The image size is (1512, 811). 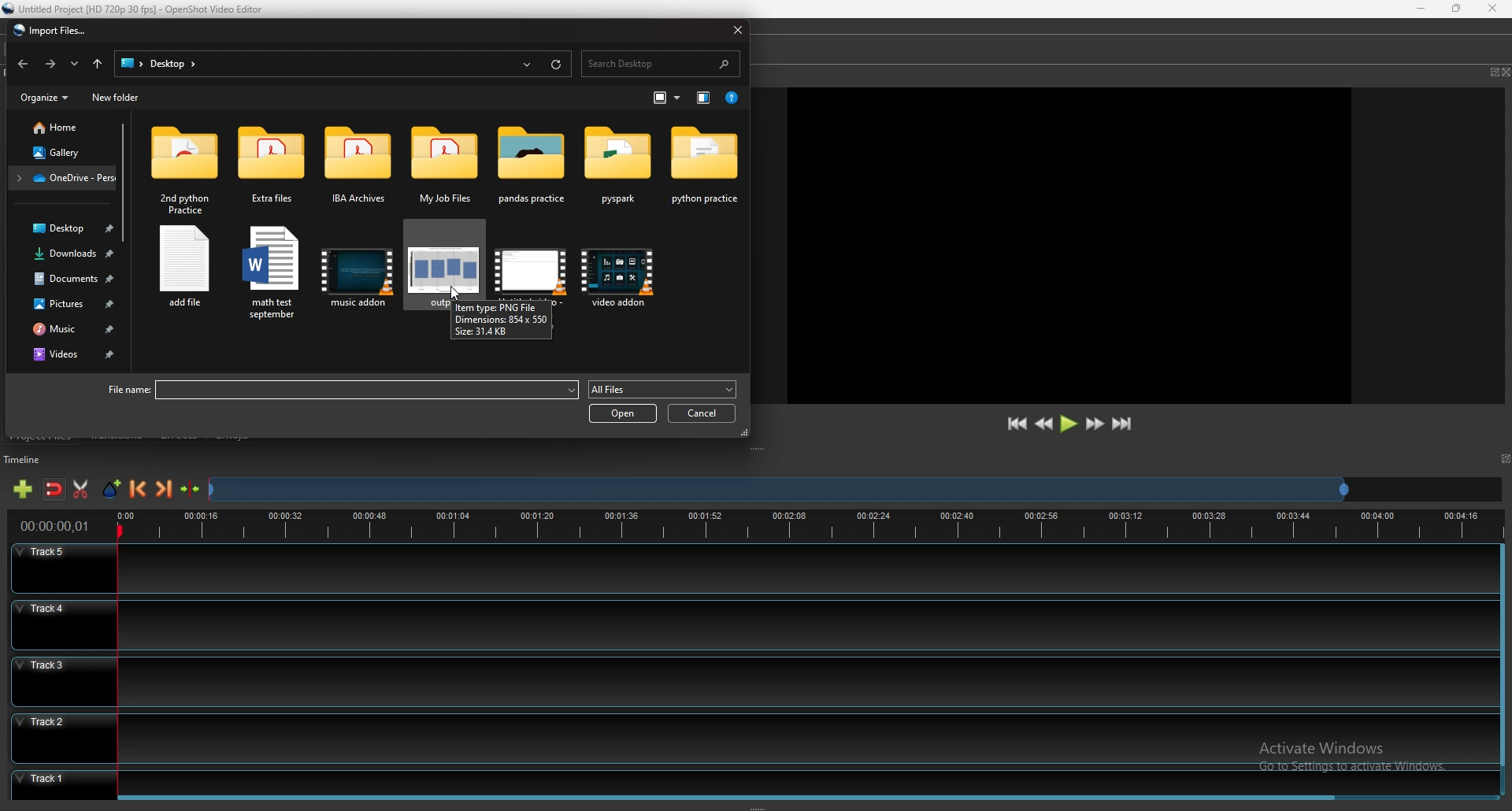 What do you see at coordinates (139, 8) in the screenshot?
I see `file name` at bounding box center [139, 8].